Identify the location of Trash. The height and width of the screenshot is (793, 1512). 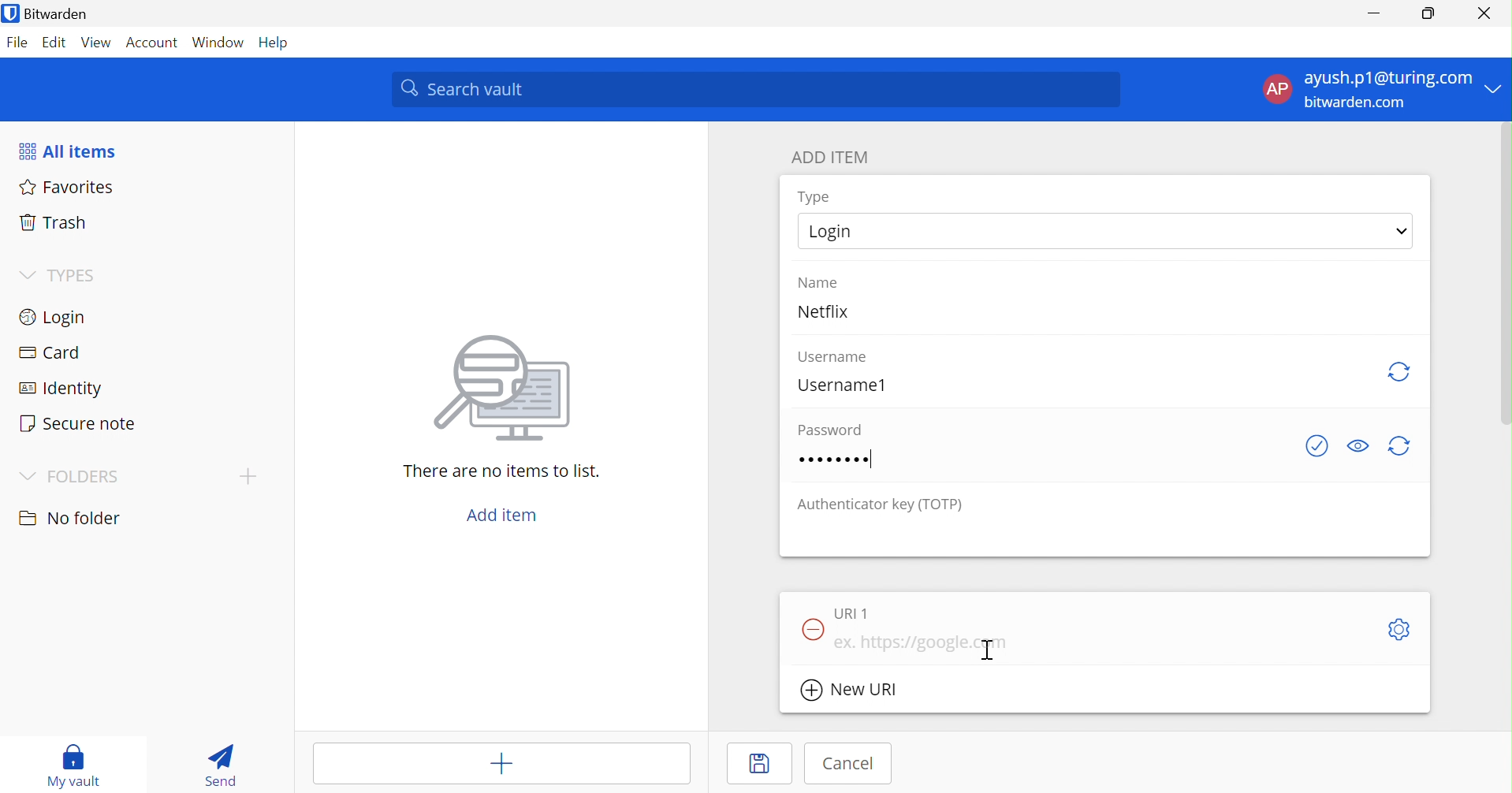
(52, 222).